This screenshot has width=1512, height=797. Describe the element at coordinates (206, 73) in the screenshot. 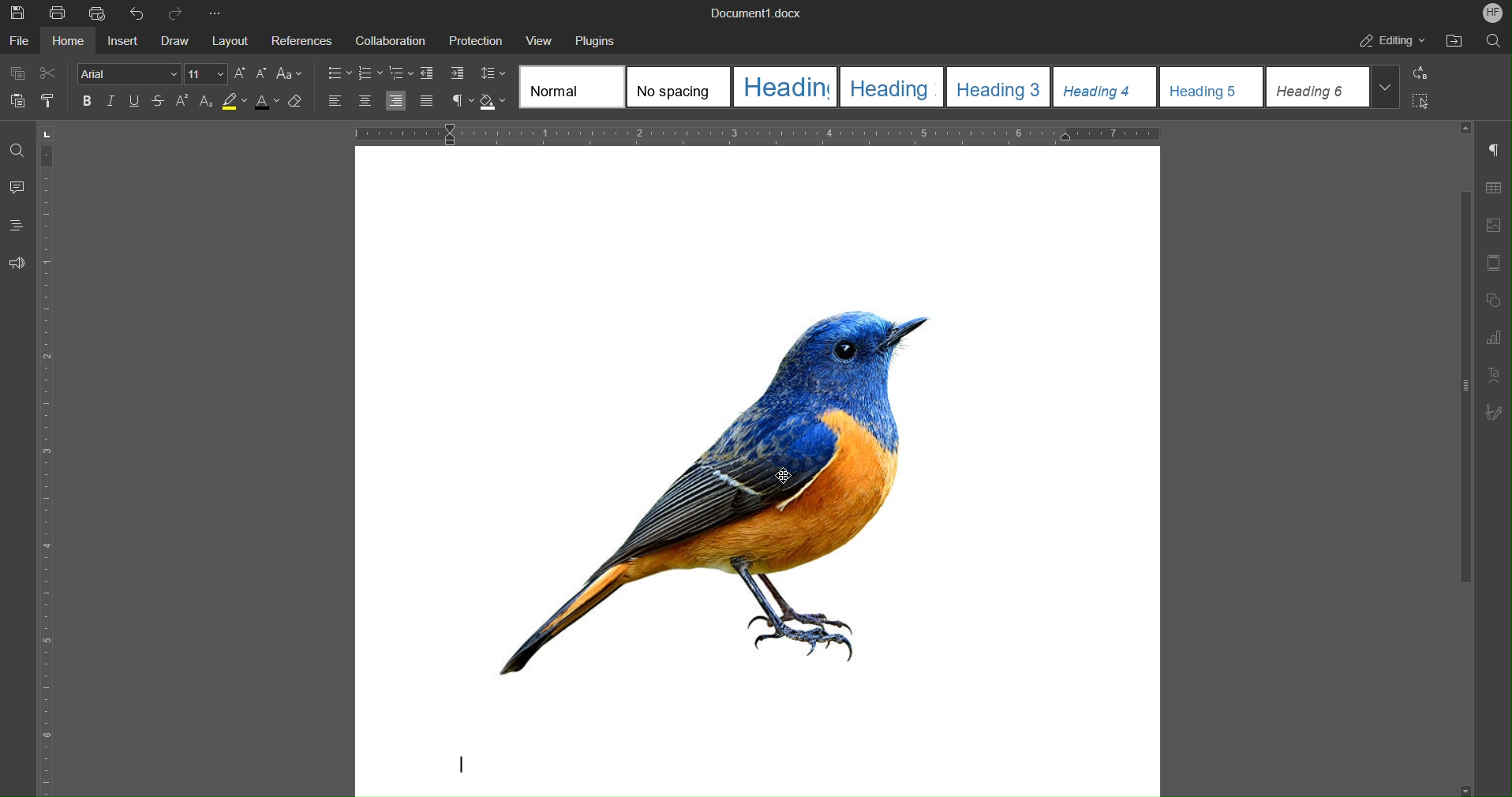

I see `Size` at that location.